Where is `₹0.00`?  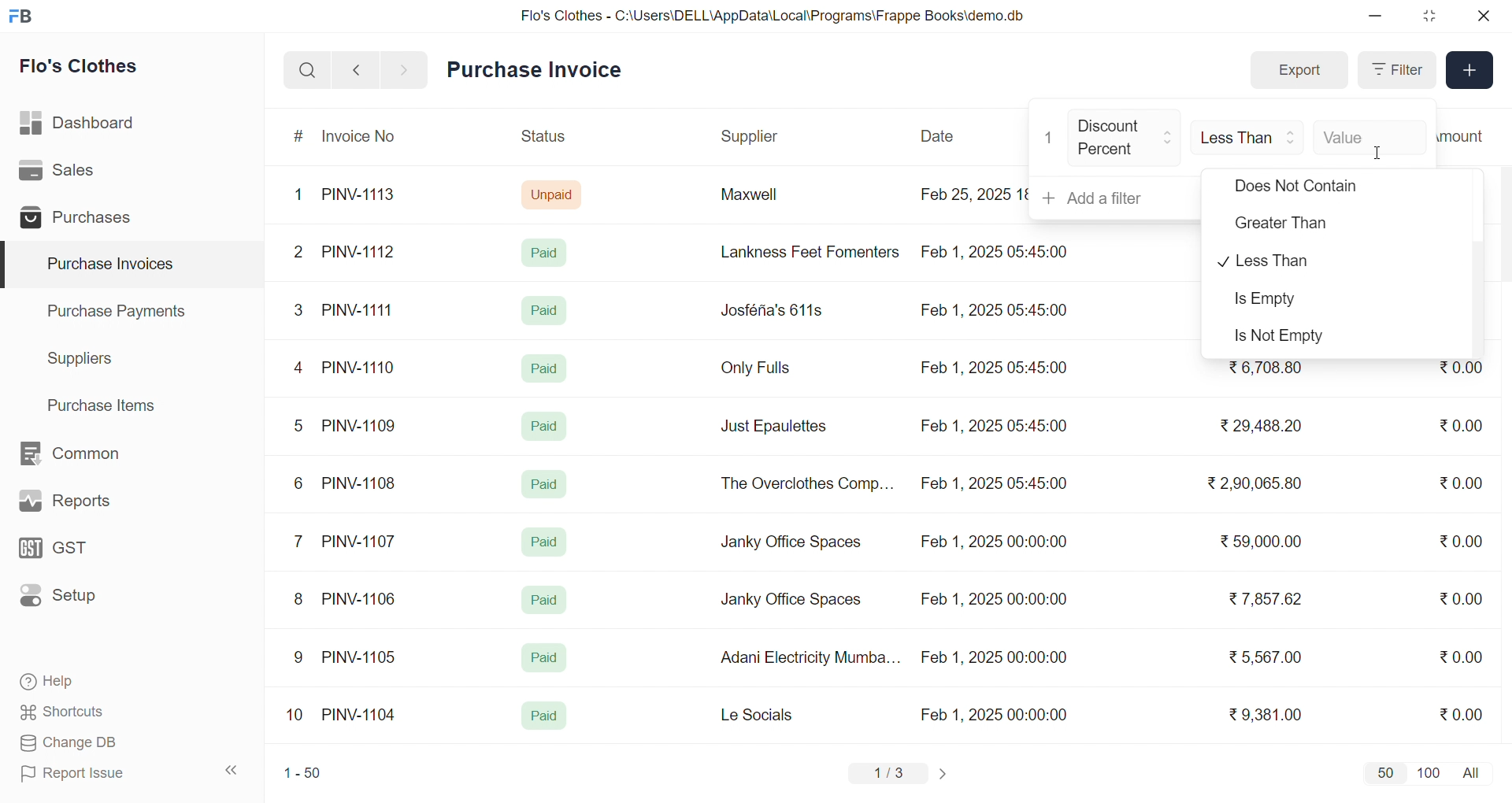
₹0.00 is located at coordinates (1462, 656).